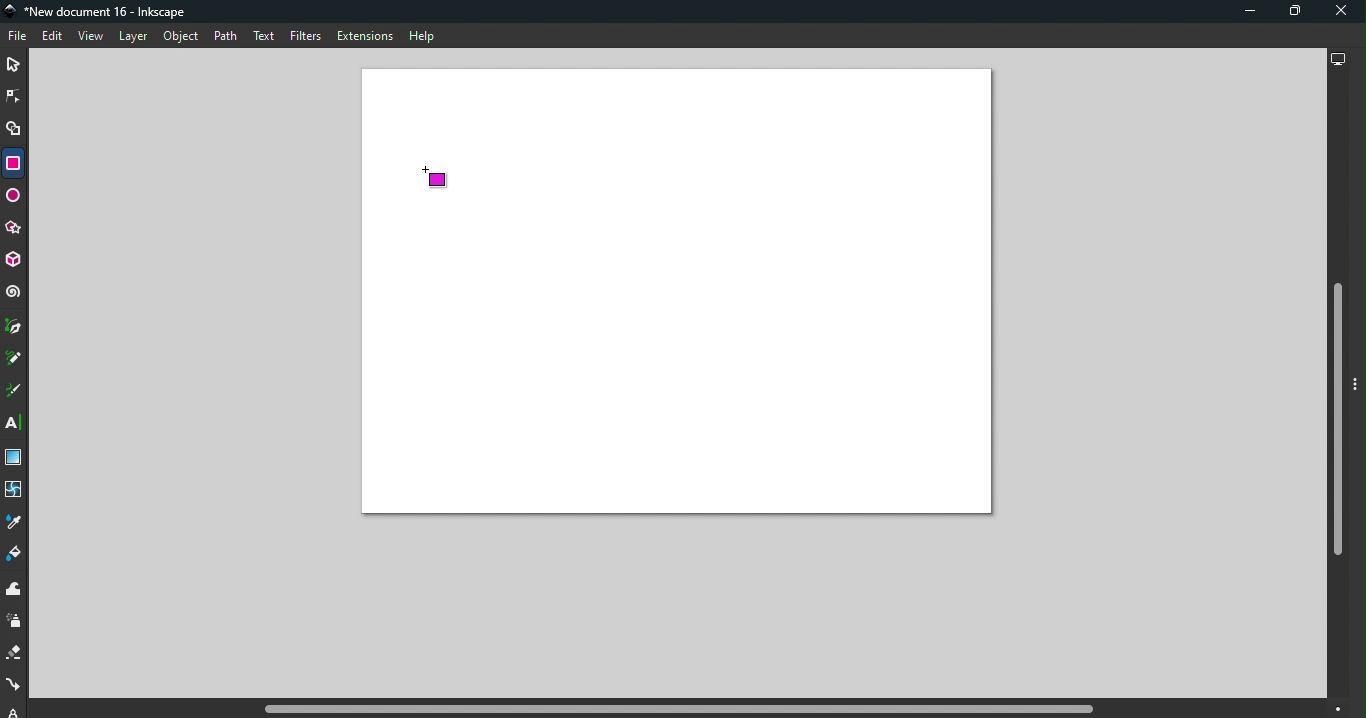  Describe the element at coordinates (17, 357) in the screenshot. I see `Pencil tool` at that location.